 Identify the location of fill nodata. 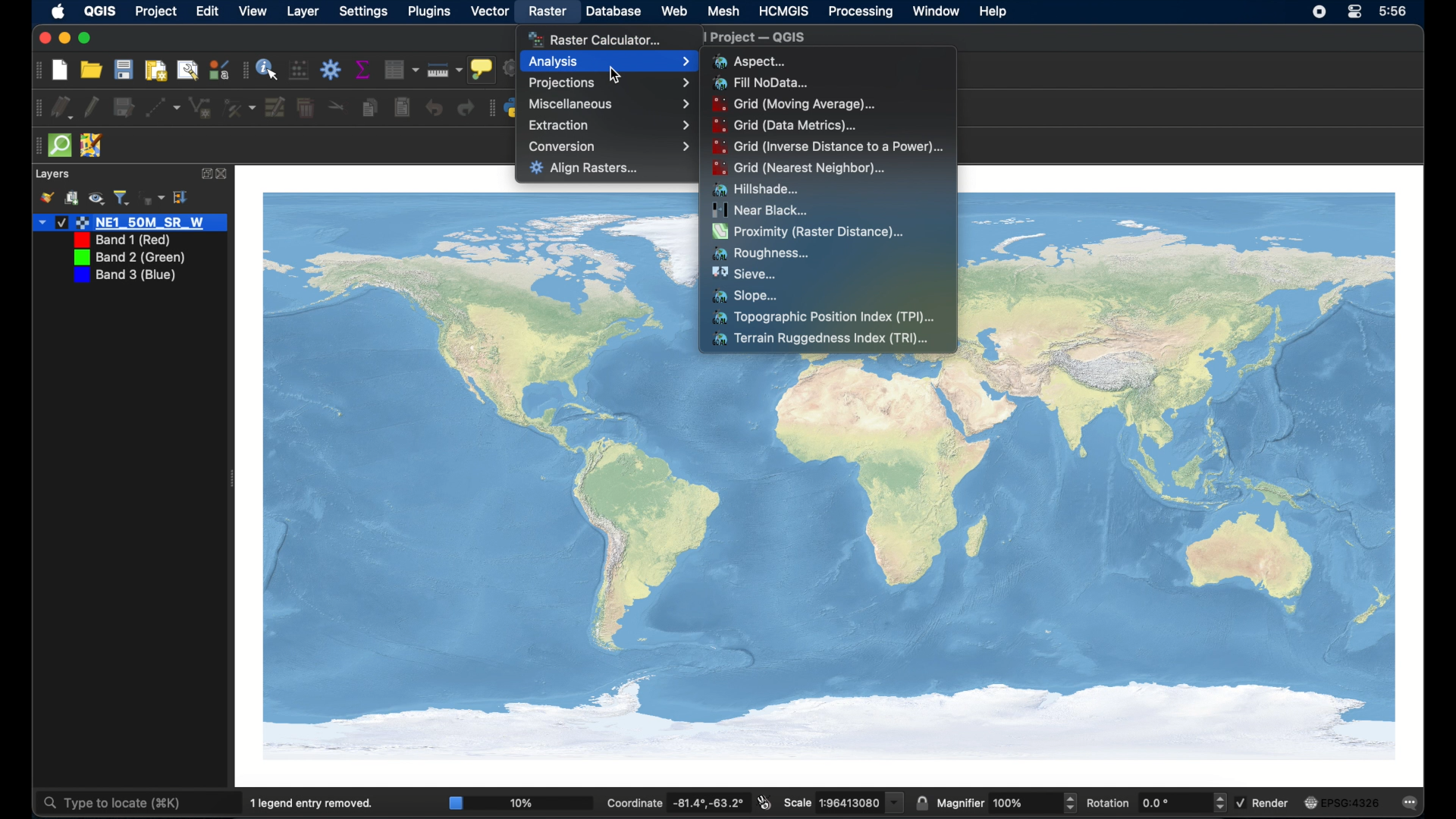
(762, 83).